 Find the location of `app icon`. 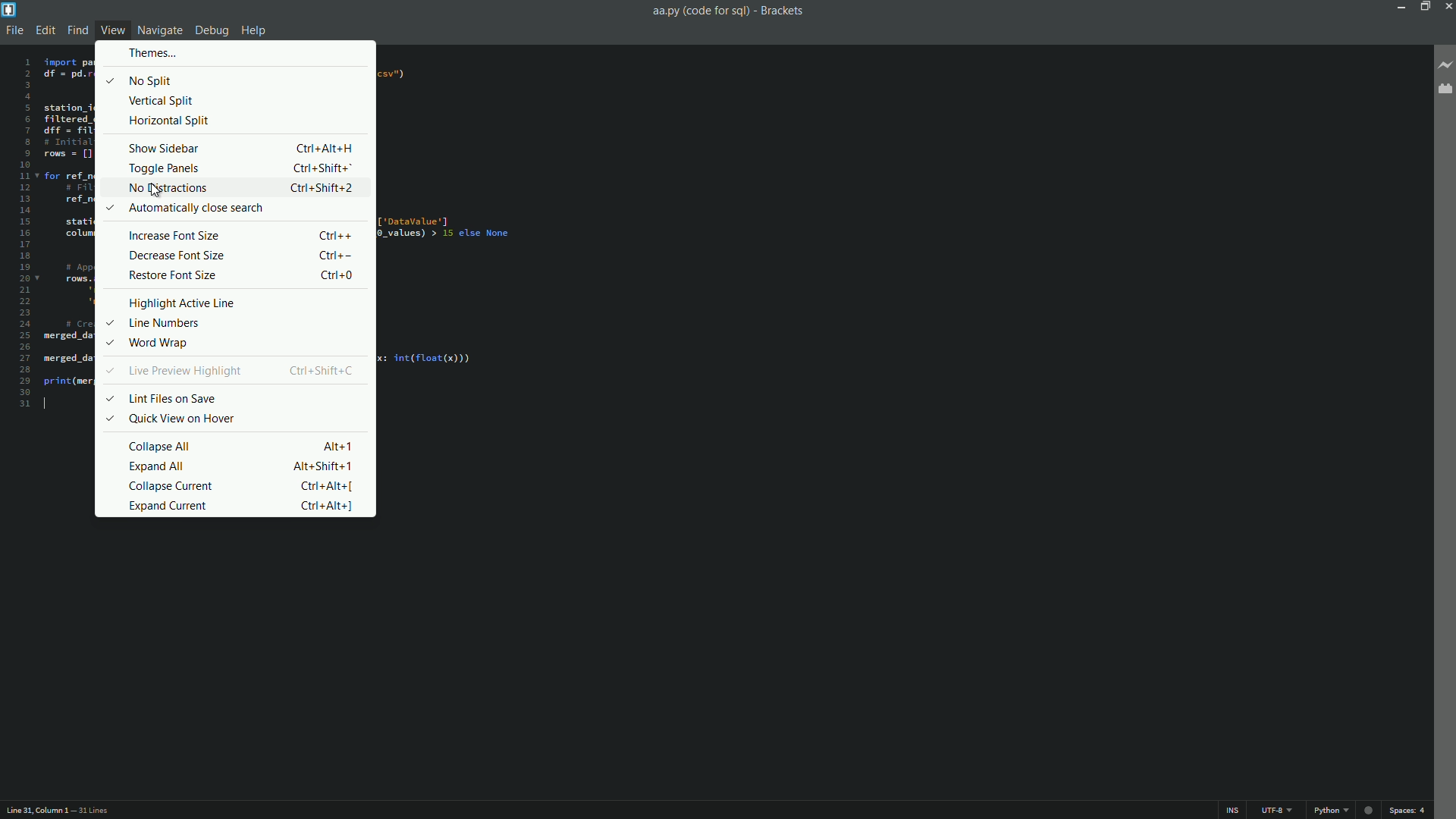

app icon is located at coordinates (8, 11).